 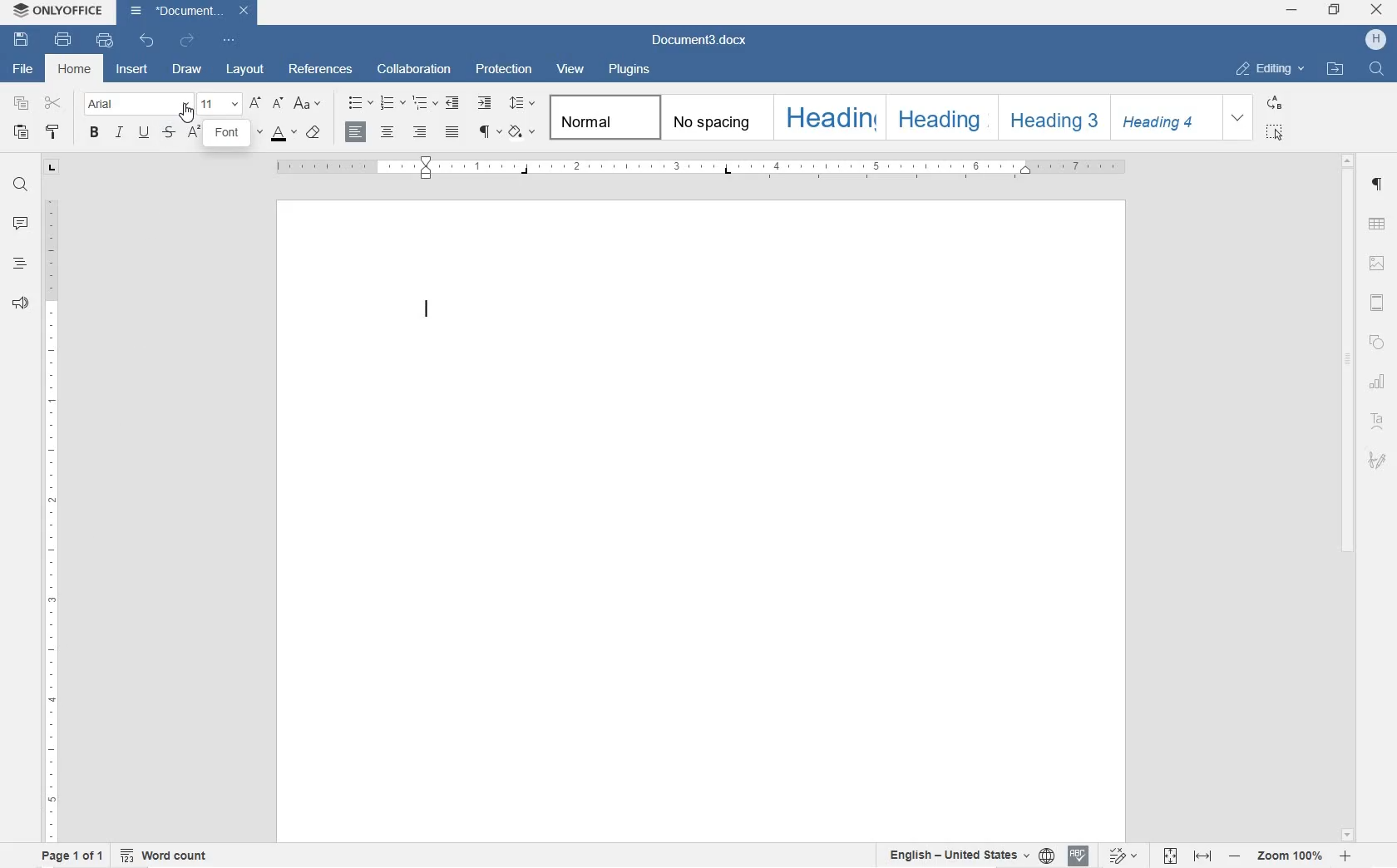 I want to click on REDO, so click(x=185, y=41).